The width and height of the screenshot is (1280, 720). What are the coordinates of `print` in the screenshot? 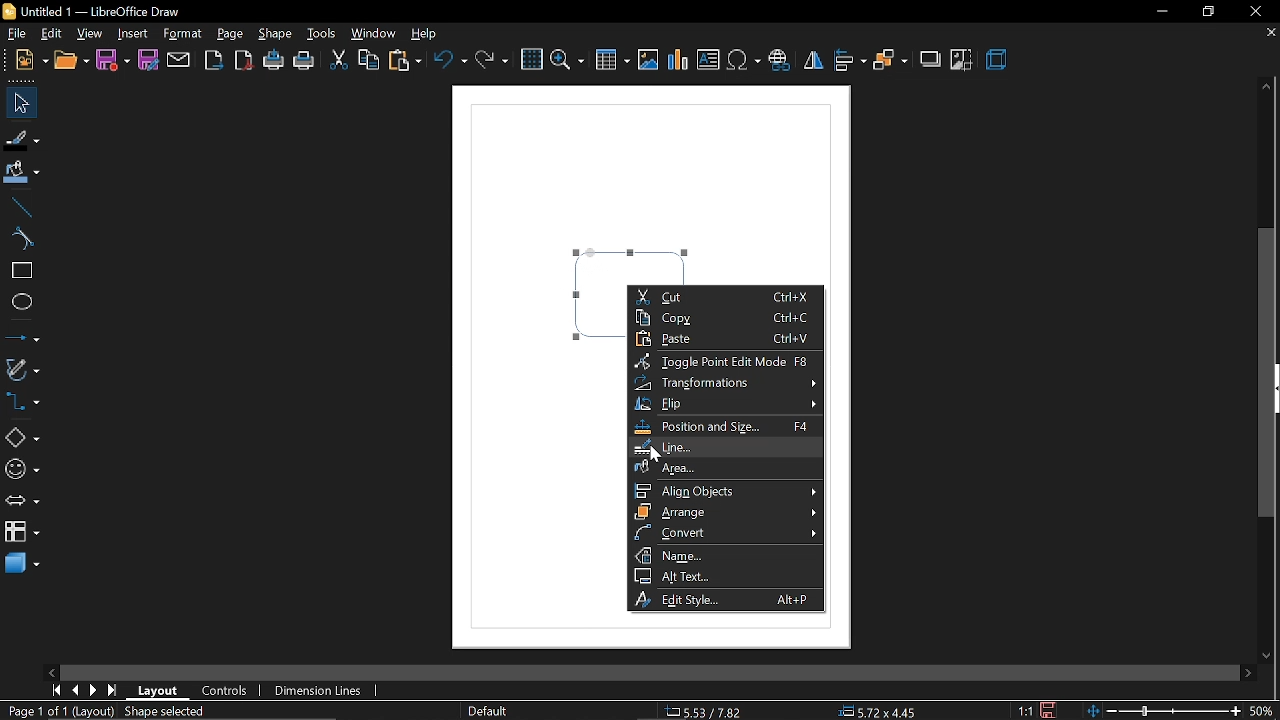 It's located at (305, 64).